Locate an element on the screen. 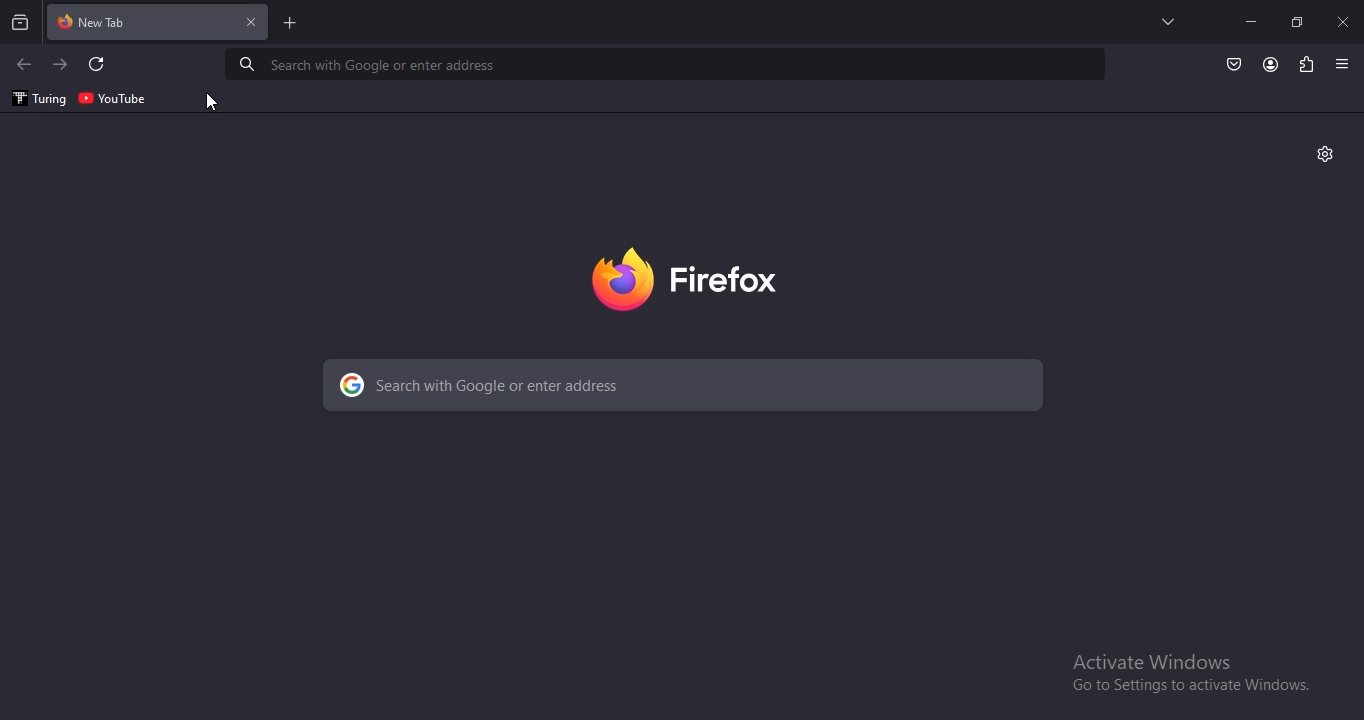 This screenshot has height=720, width=1364. search tabs is located at coordinates (1170, 21).